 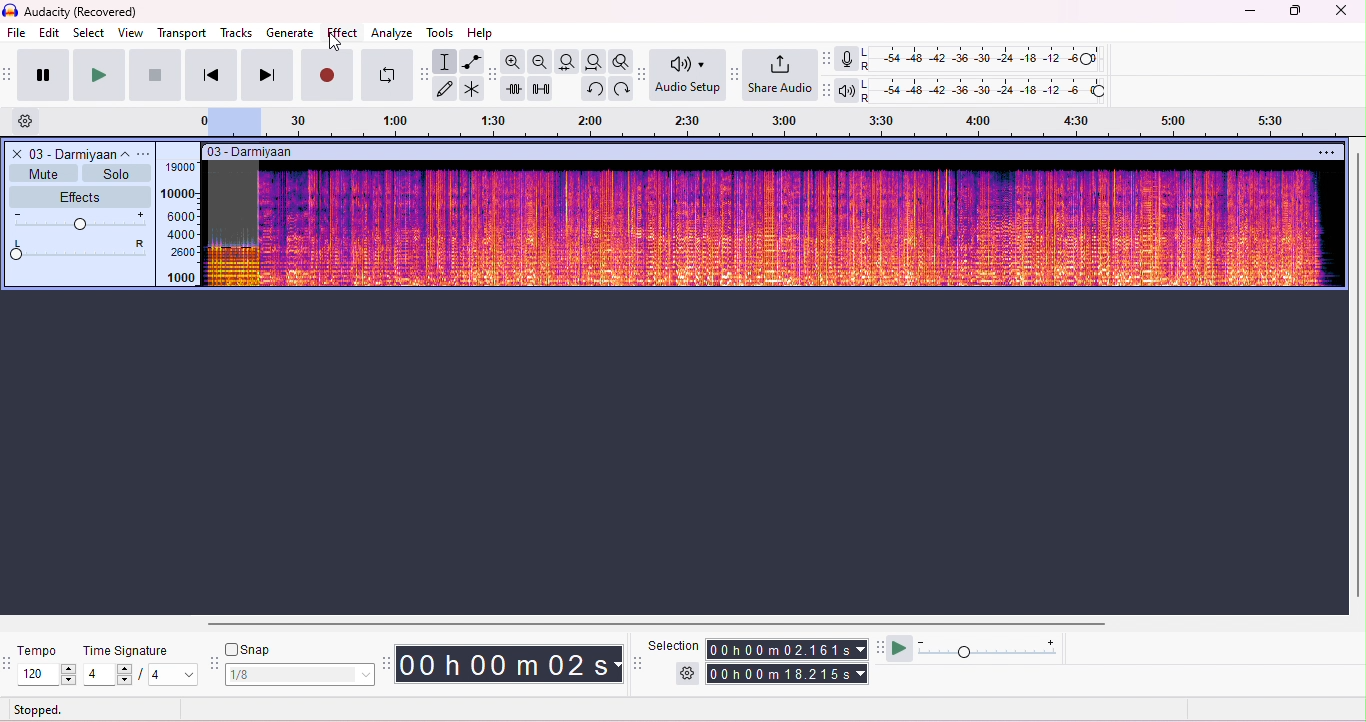 I want to click on draw, so click(x=447, y=88).